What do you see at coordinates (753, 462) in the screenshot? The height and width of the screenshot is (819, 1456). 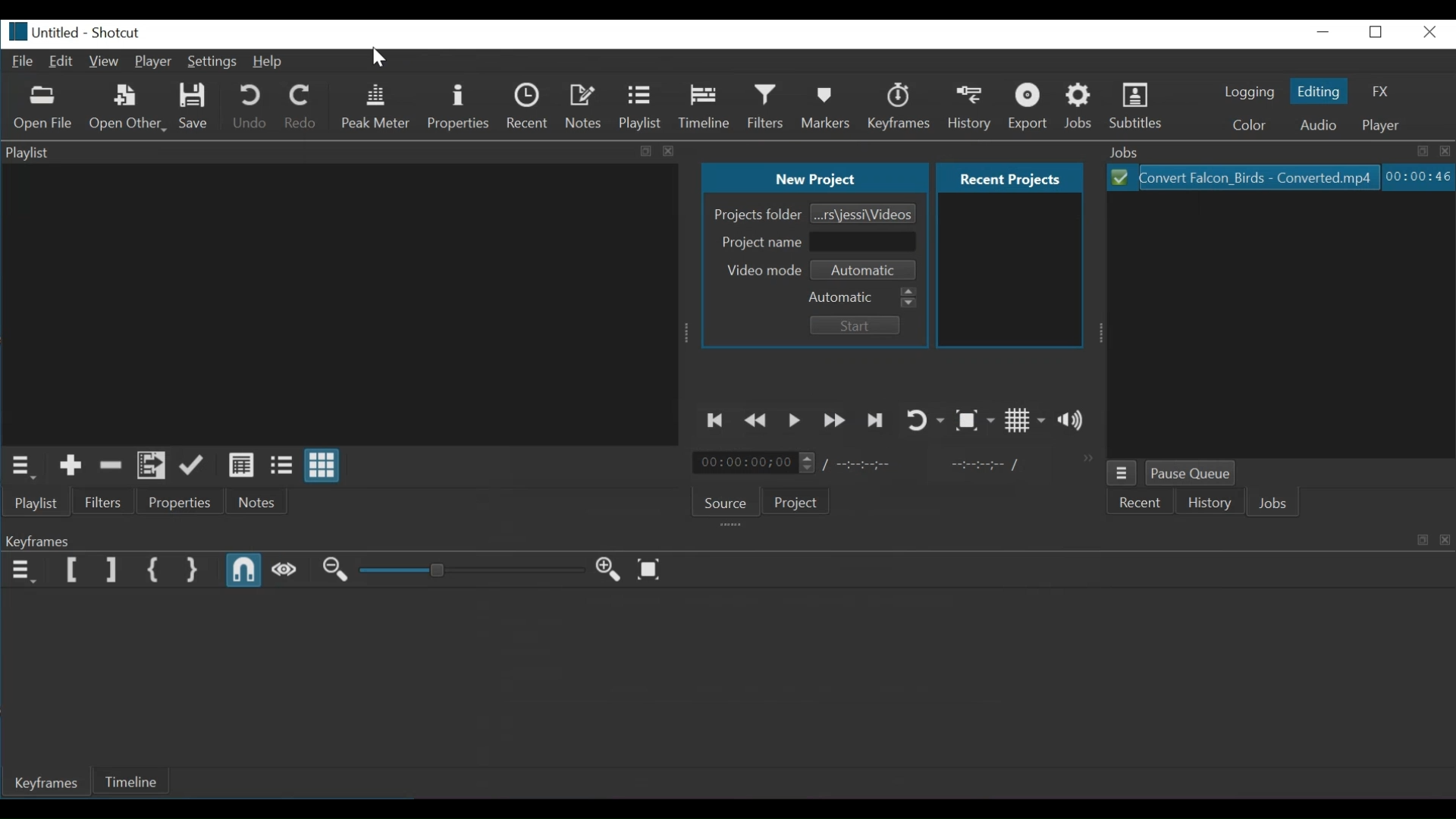 I see `00:00:00:00(Current position)` at bounding box center [753, 462].